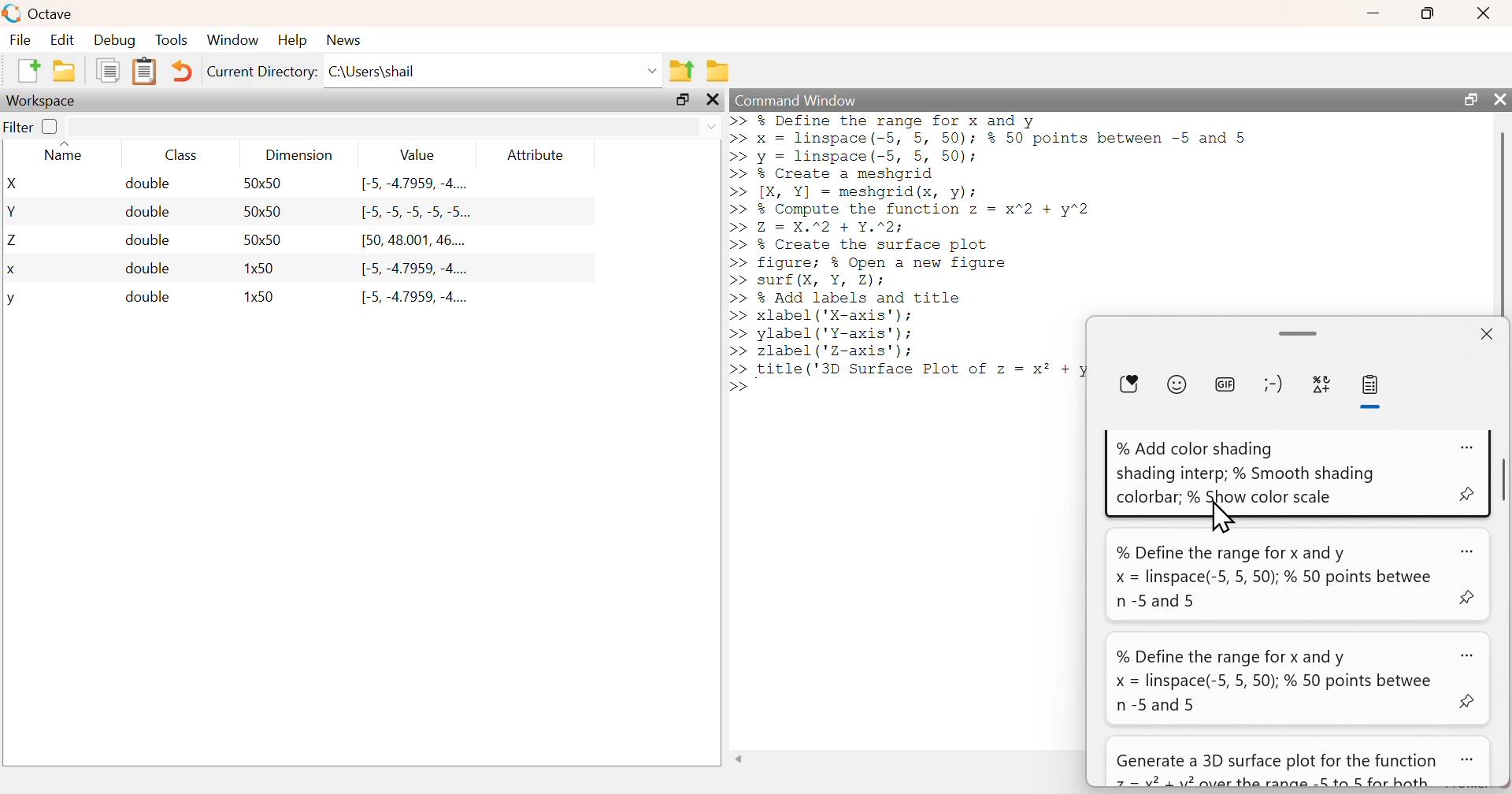 This screenshot has width=1512, height=794. Describe the element at coordinates (1301, 333) in the screenshot. I see `scroll bar` at that location.